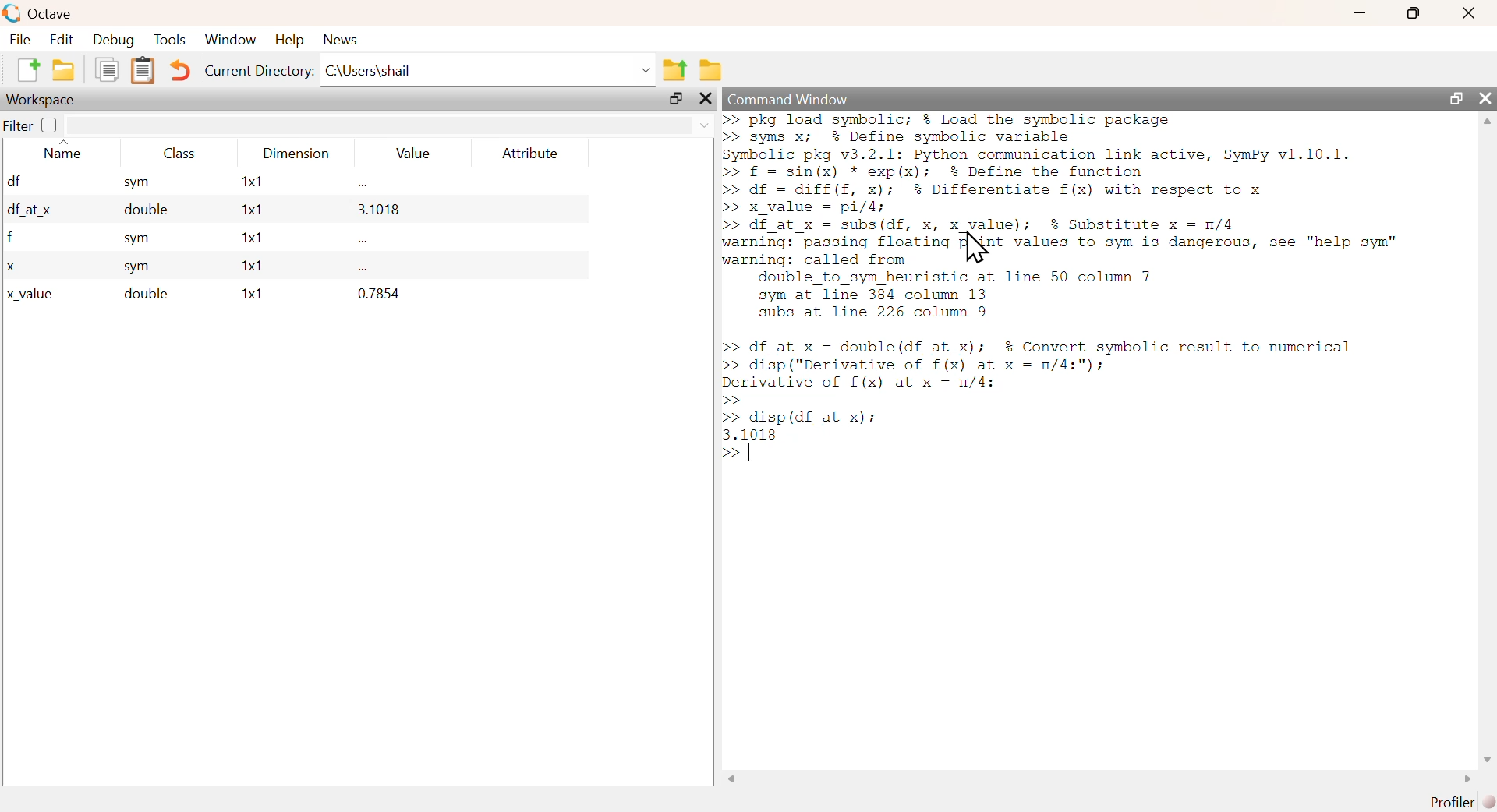  What do you see at coordinates (1487, 121) in the screenshot?
I see `scroll up` at bounding box center [1487, 121].